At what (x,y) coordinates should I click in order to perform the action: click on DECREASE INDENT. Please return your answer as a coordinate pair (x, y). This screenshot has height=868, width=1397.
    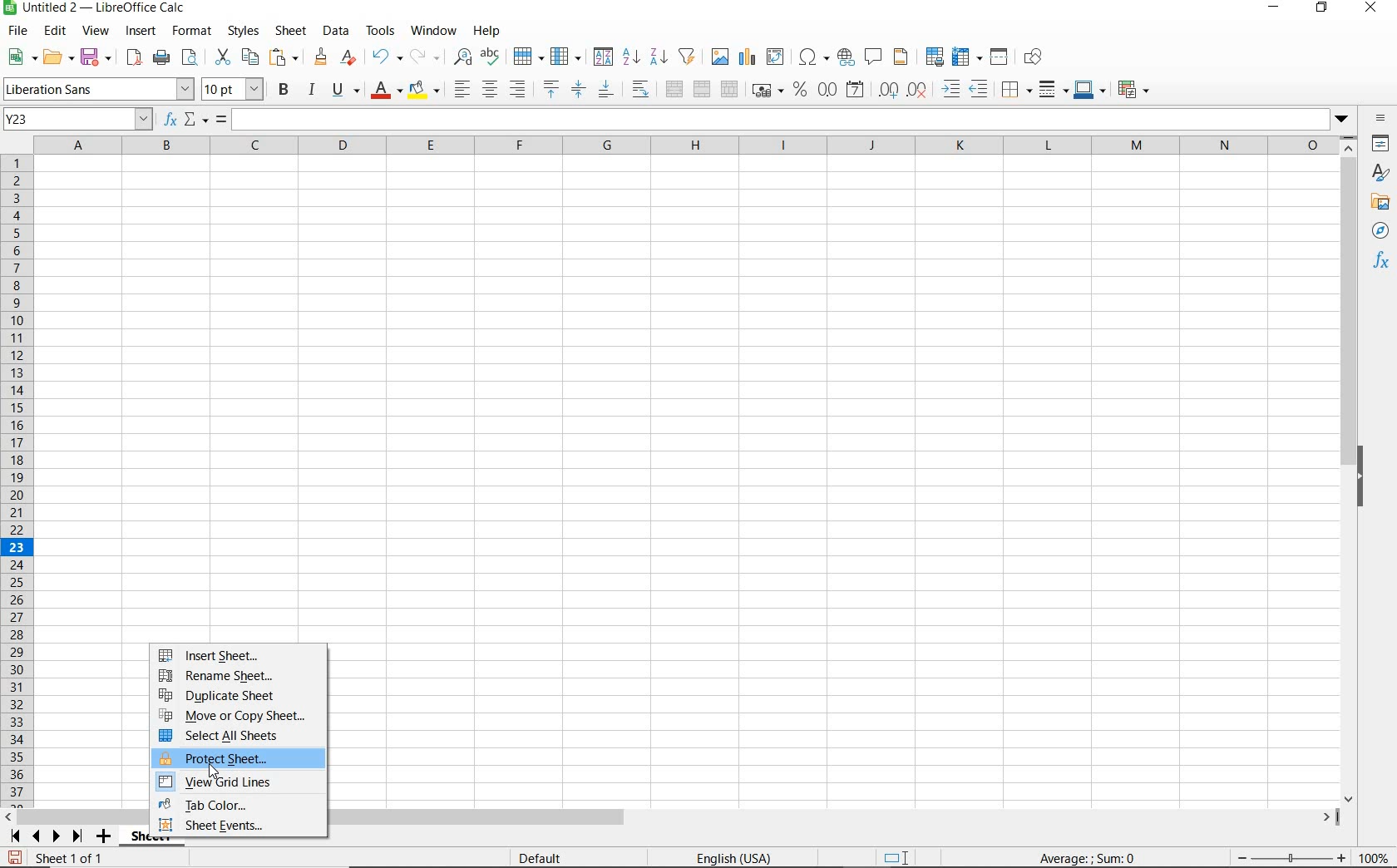
    Looking at the image, I should click on (980, 91).